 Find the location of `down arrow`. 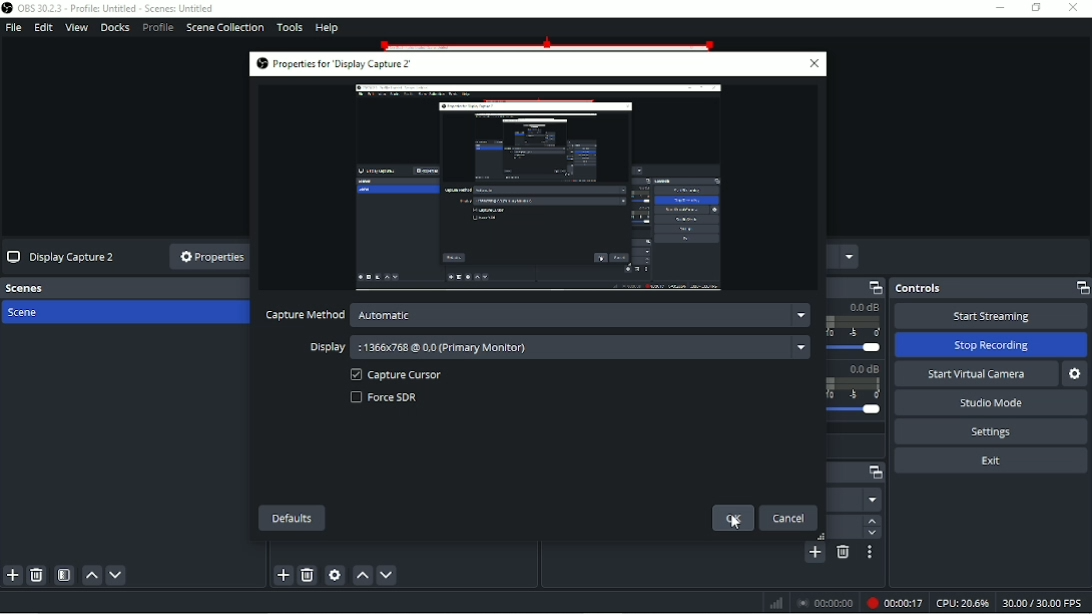

down arrow is located at coordinates (873, 534).